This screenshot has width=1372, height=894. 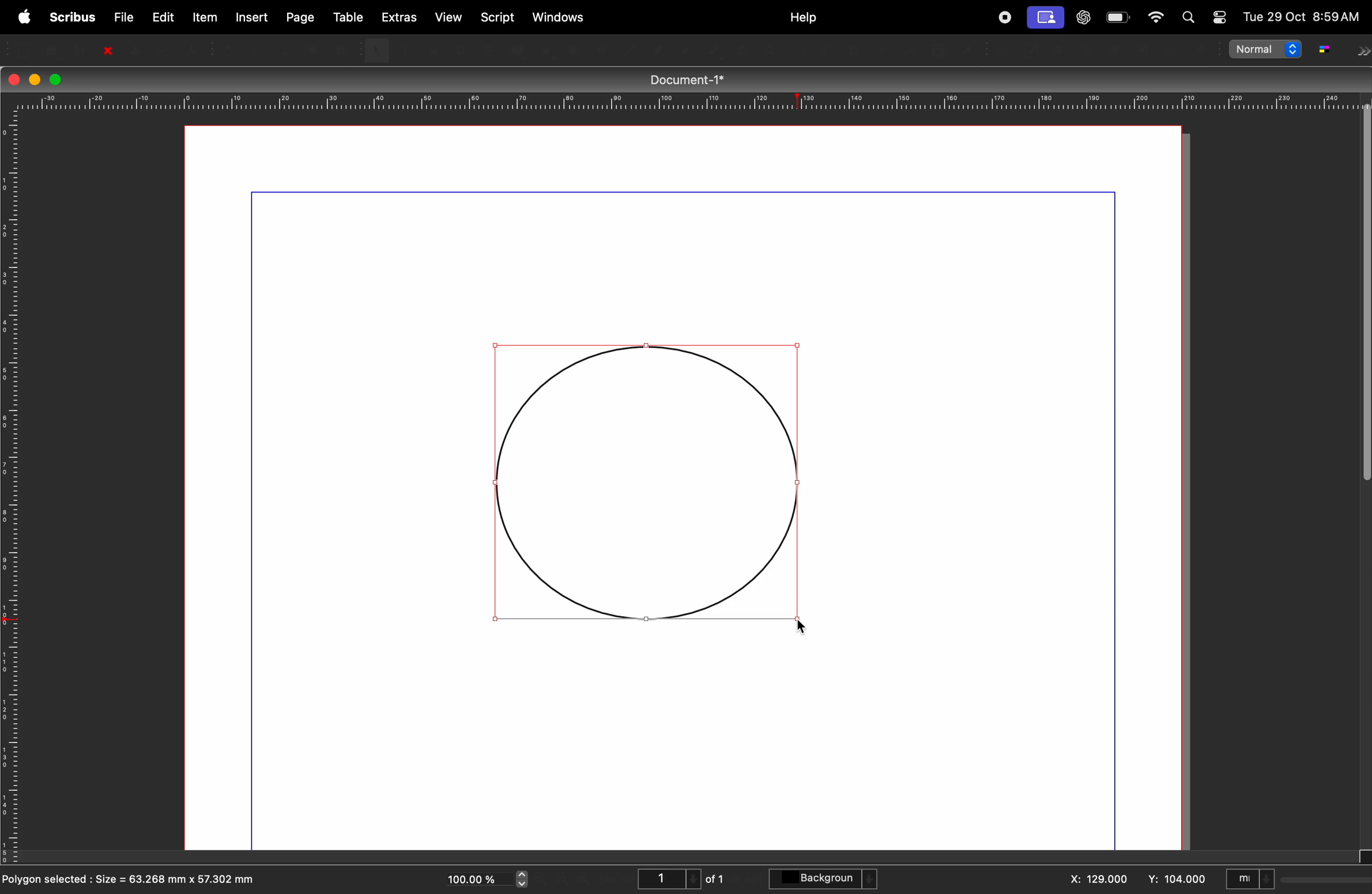 I want to click on find, so click(x=1192, y=18).